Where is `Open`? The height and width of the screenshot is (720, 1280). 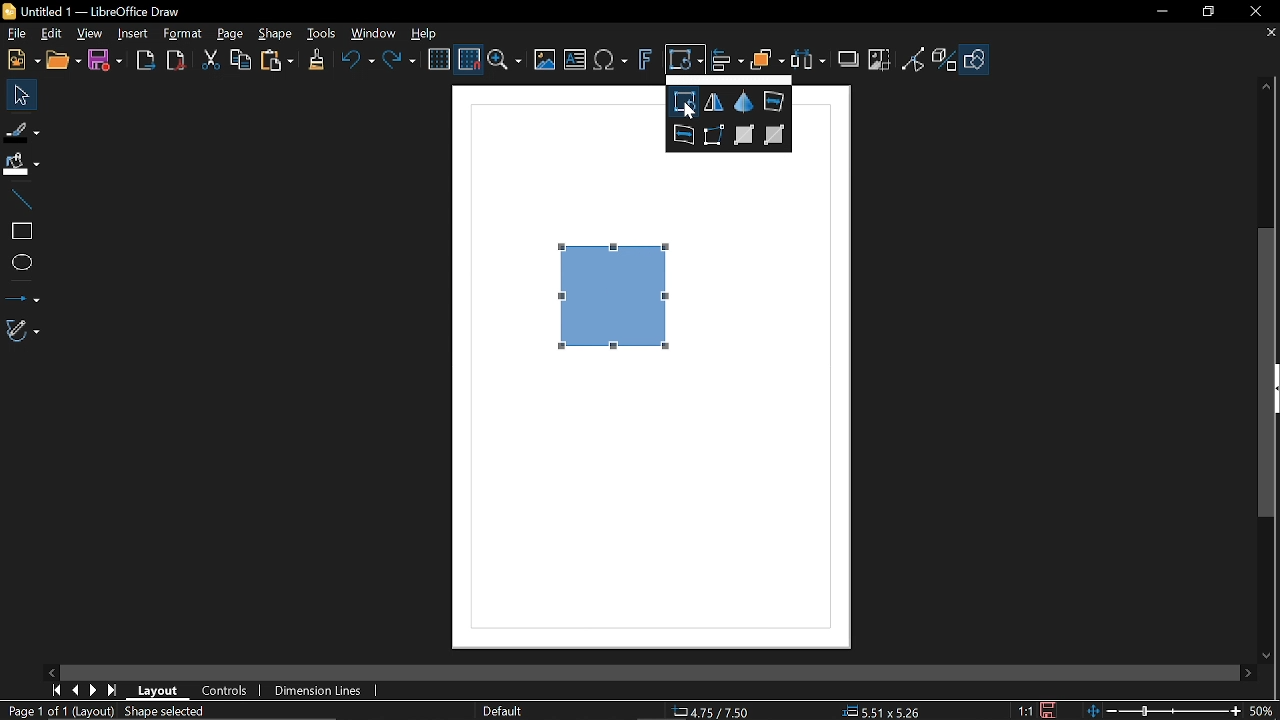
Open is located at coordinates (64, 60).